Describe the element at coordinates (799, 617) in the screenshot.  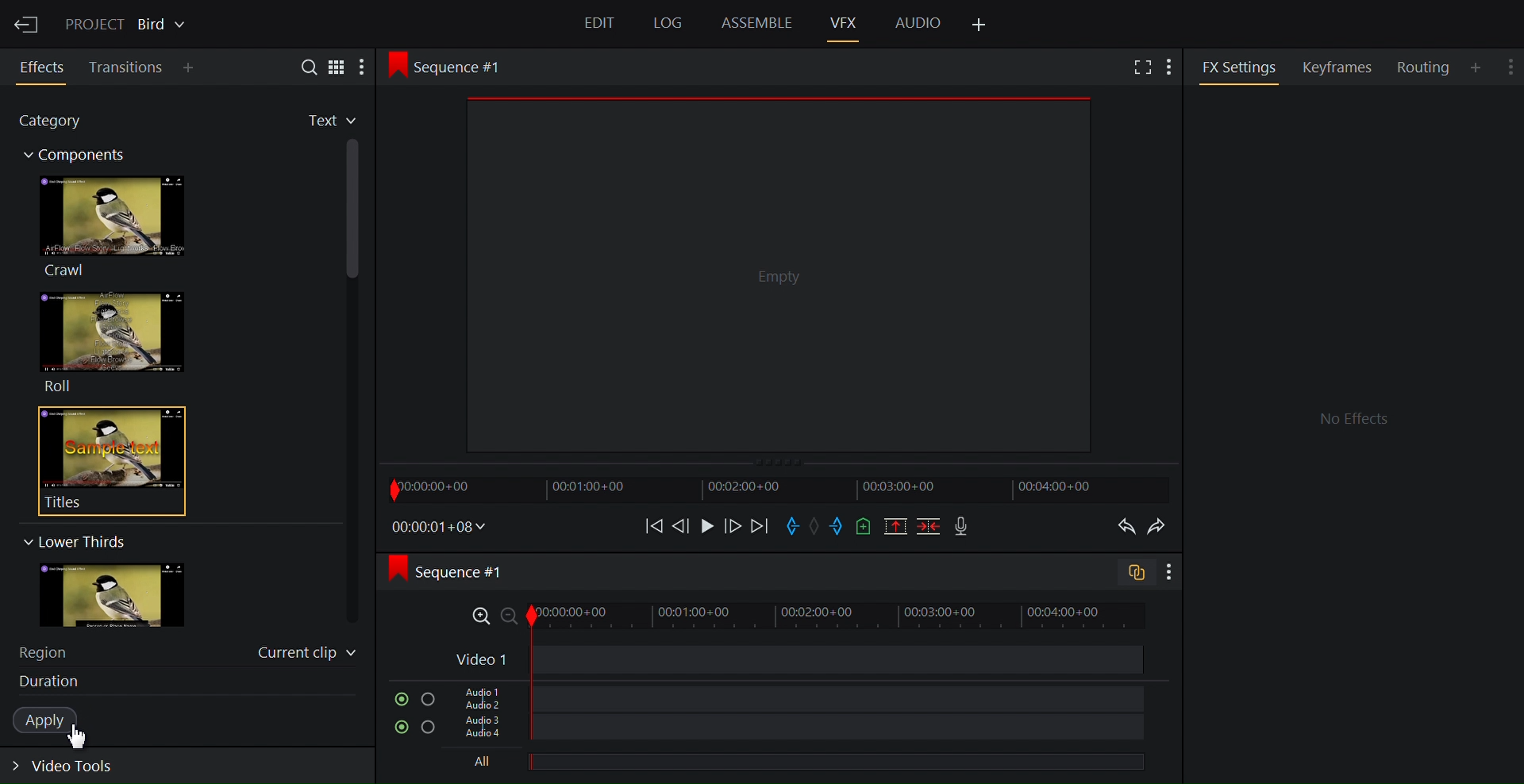
I see `Zoom Timeline` at that location.